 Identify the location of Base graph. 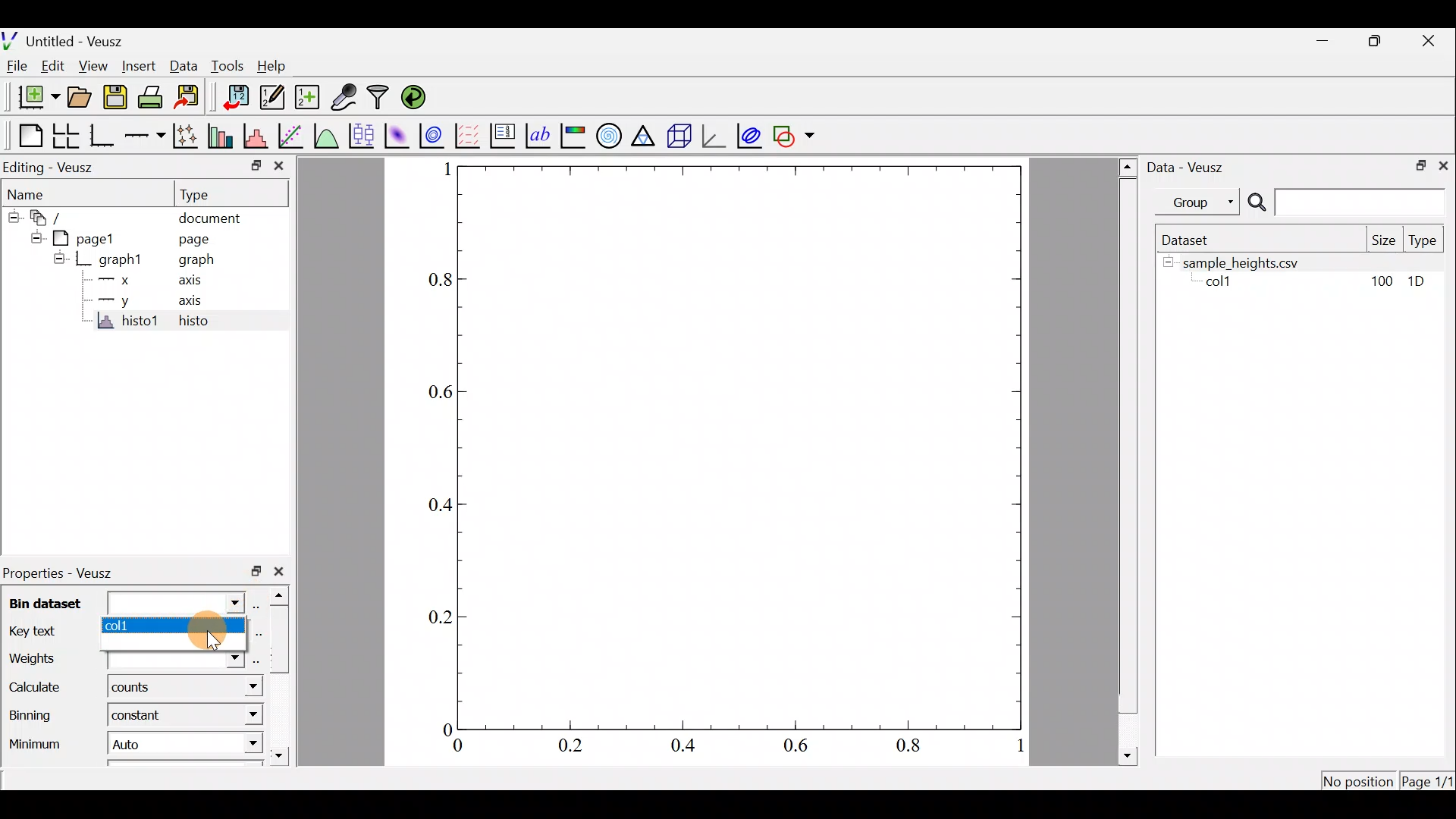
(101, 136).